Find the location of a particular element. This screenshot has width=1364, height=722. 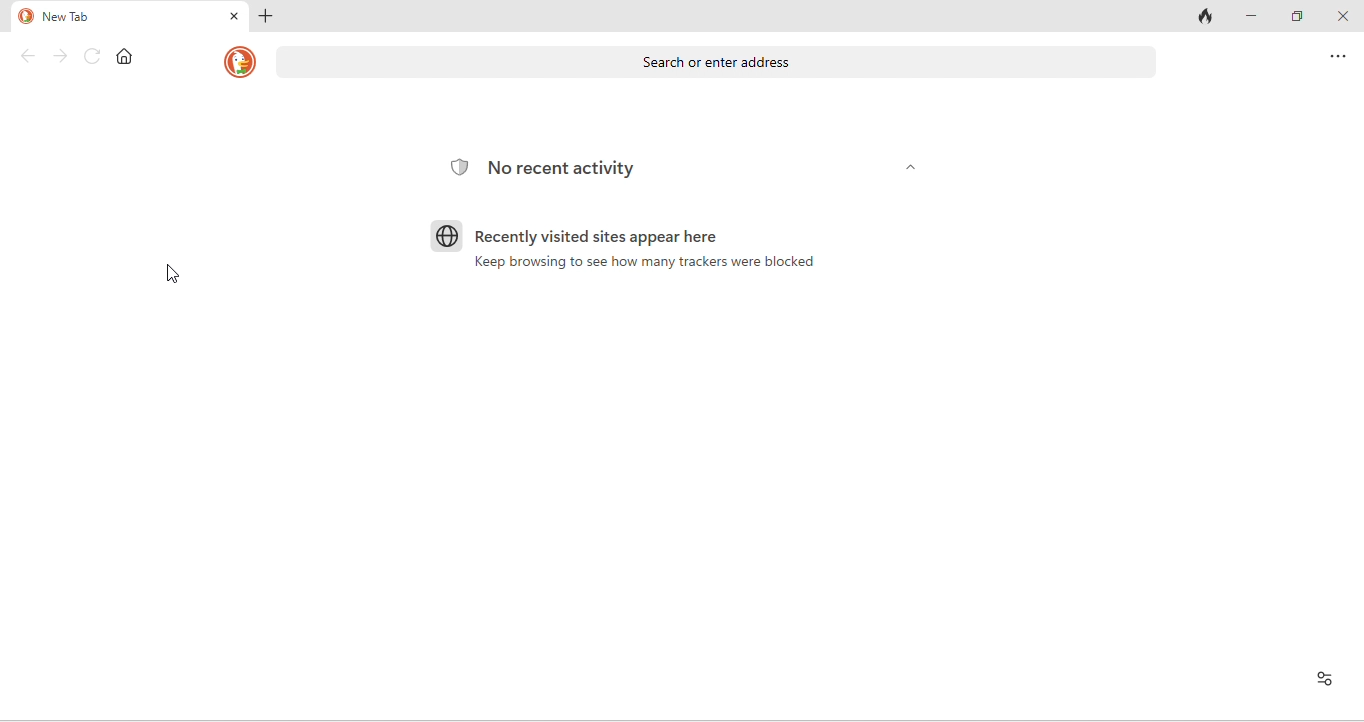

add tab is located at coordinates (268, 15).